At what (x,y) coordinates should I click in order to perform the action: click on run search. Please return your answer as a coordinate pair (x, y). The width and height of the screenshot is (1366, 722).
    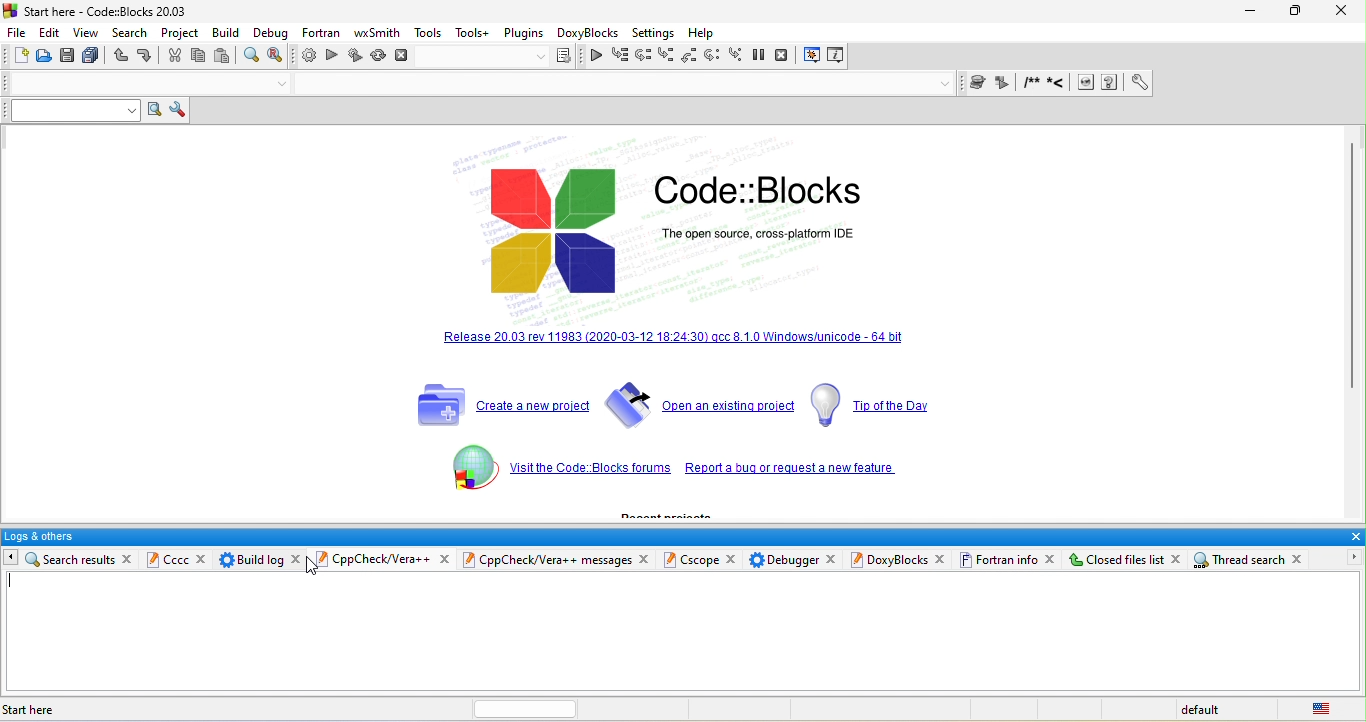
    Looking at the image, I should click on (152, 111).